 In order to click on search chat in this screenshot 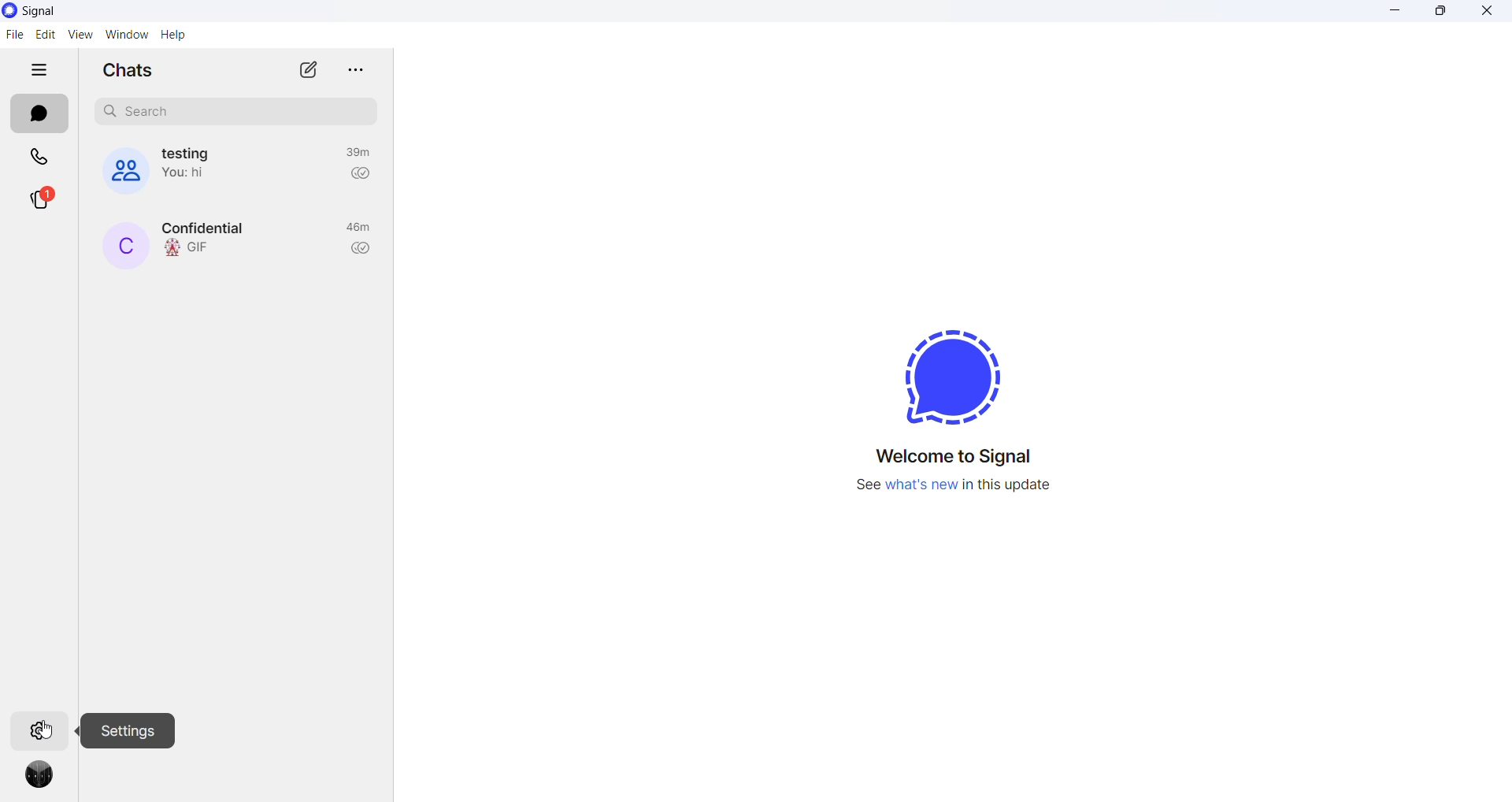, I will do `click(235, 112)`.